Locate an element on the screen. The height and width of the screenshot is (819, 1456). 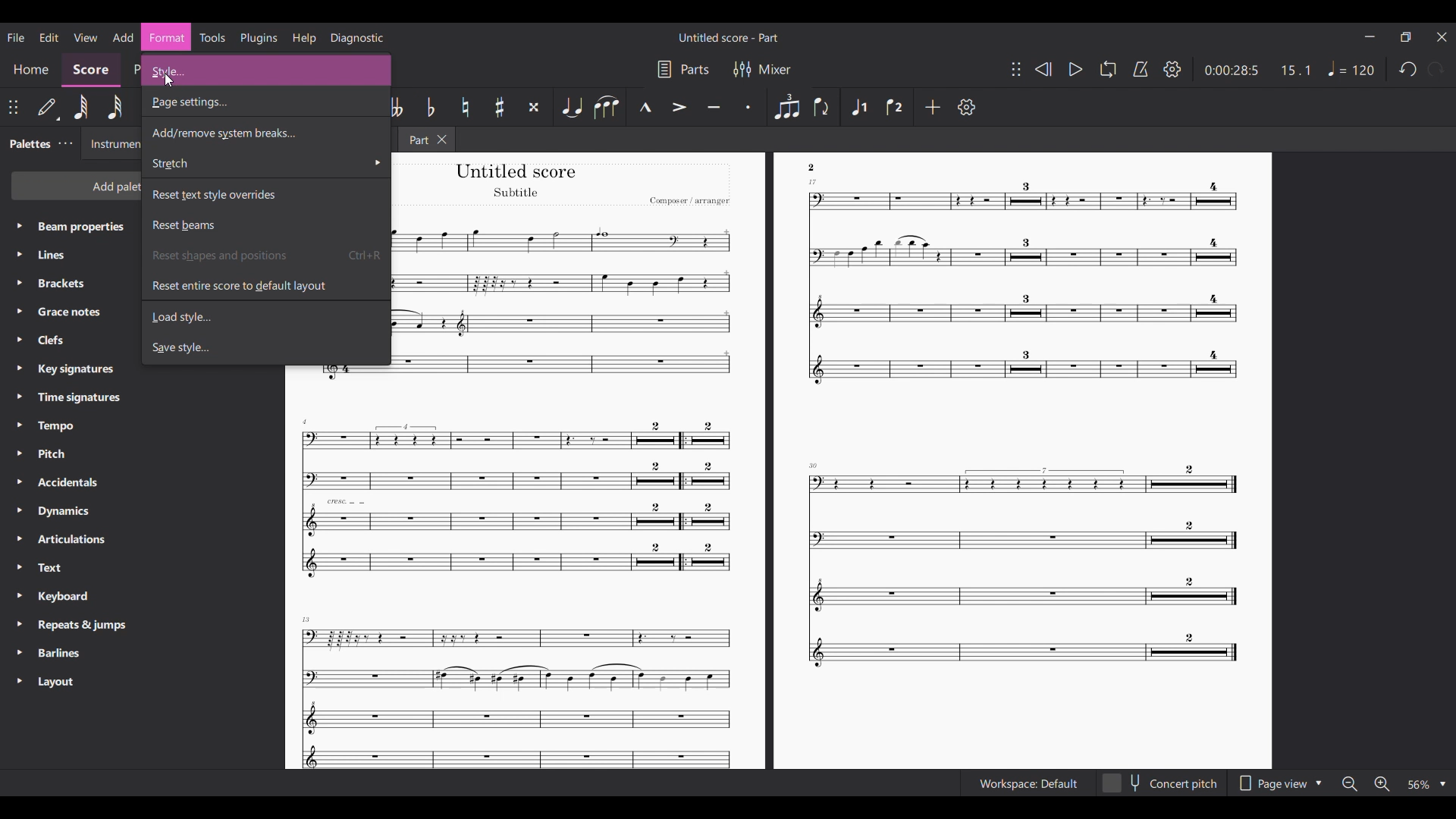
Requests & jumps is located at coordinates (70, 625).